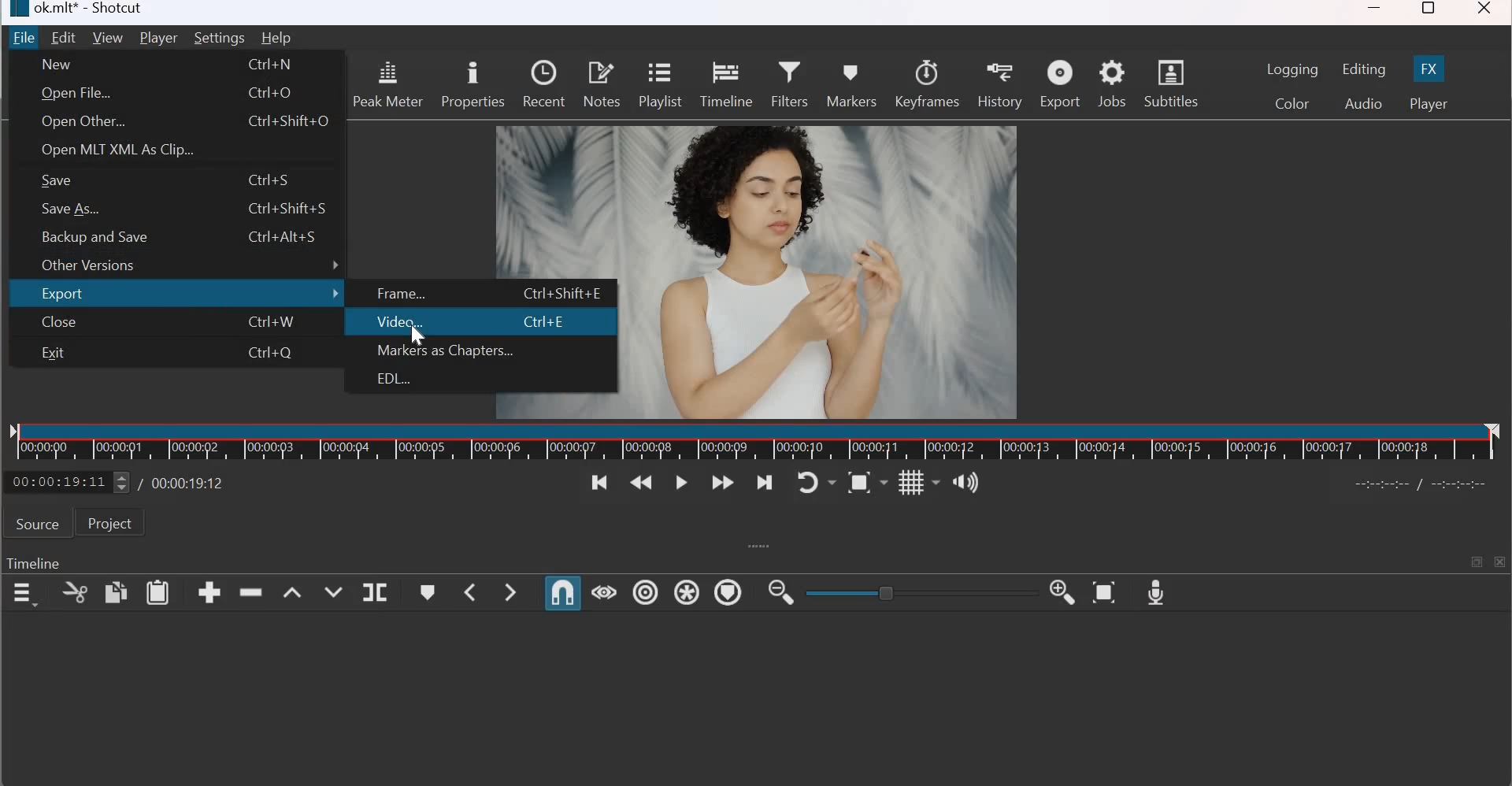 The height and width of the screenshot is (786, 1512). Describe the element at coordinates (33, 565) in the screenshot. I see `Timeline` at that location.